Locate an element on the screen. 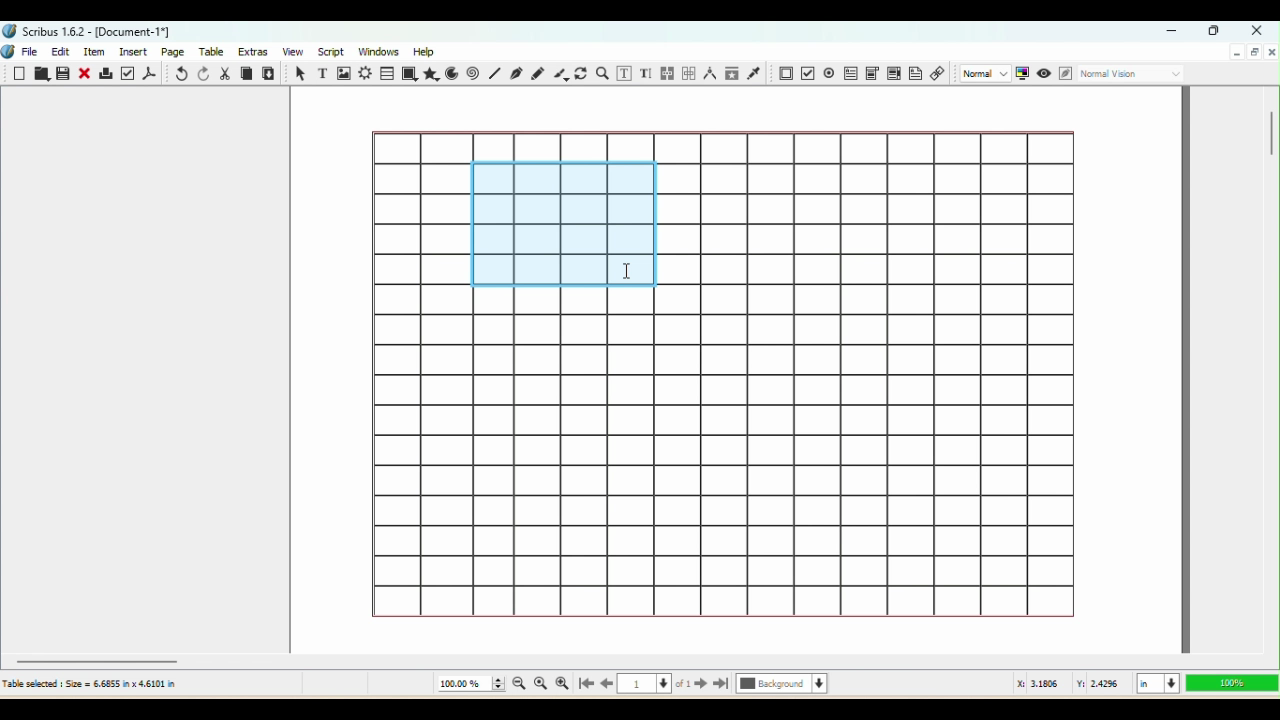 The width and height of the screenshot is (1280, 720). Edit in Preview mode is located at coordinates (1064, 74).